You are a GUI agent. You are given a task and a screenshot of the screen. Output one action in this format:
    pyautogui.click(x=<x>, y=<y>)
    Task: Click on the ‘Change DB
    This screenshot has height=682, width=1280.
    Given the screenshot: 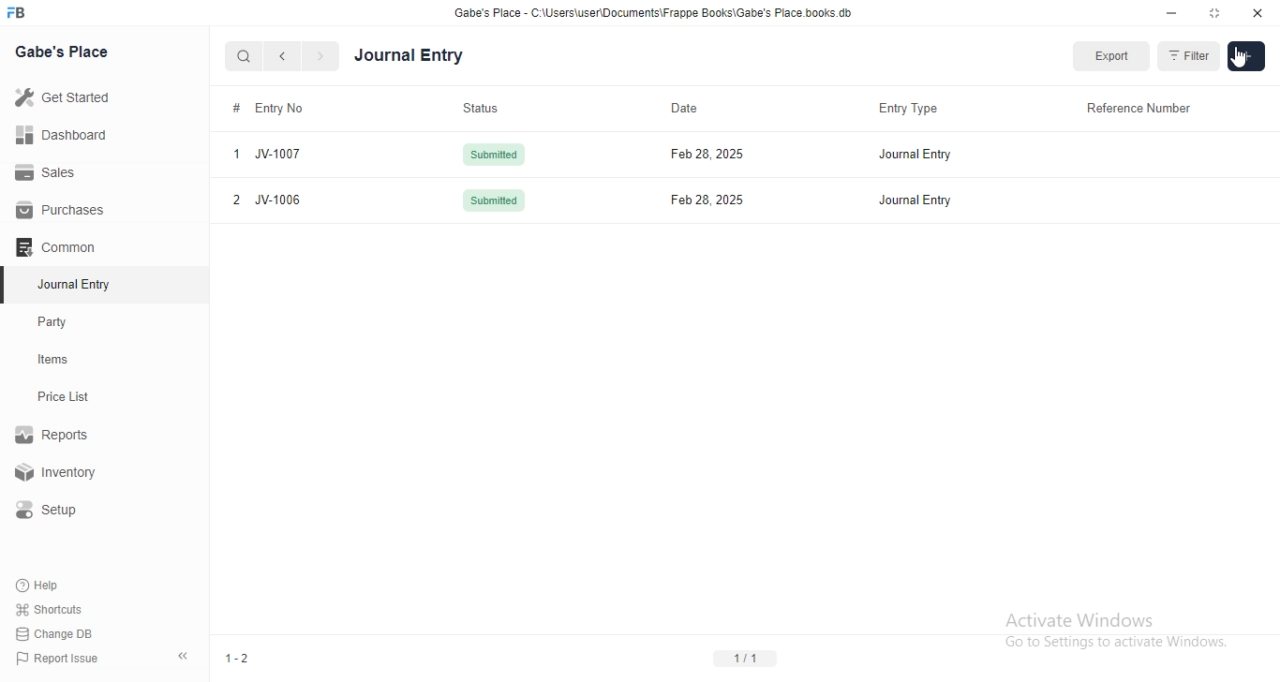 What is the action you would take?
    pyautogui.click(x=55, y=634)
    